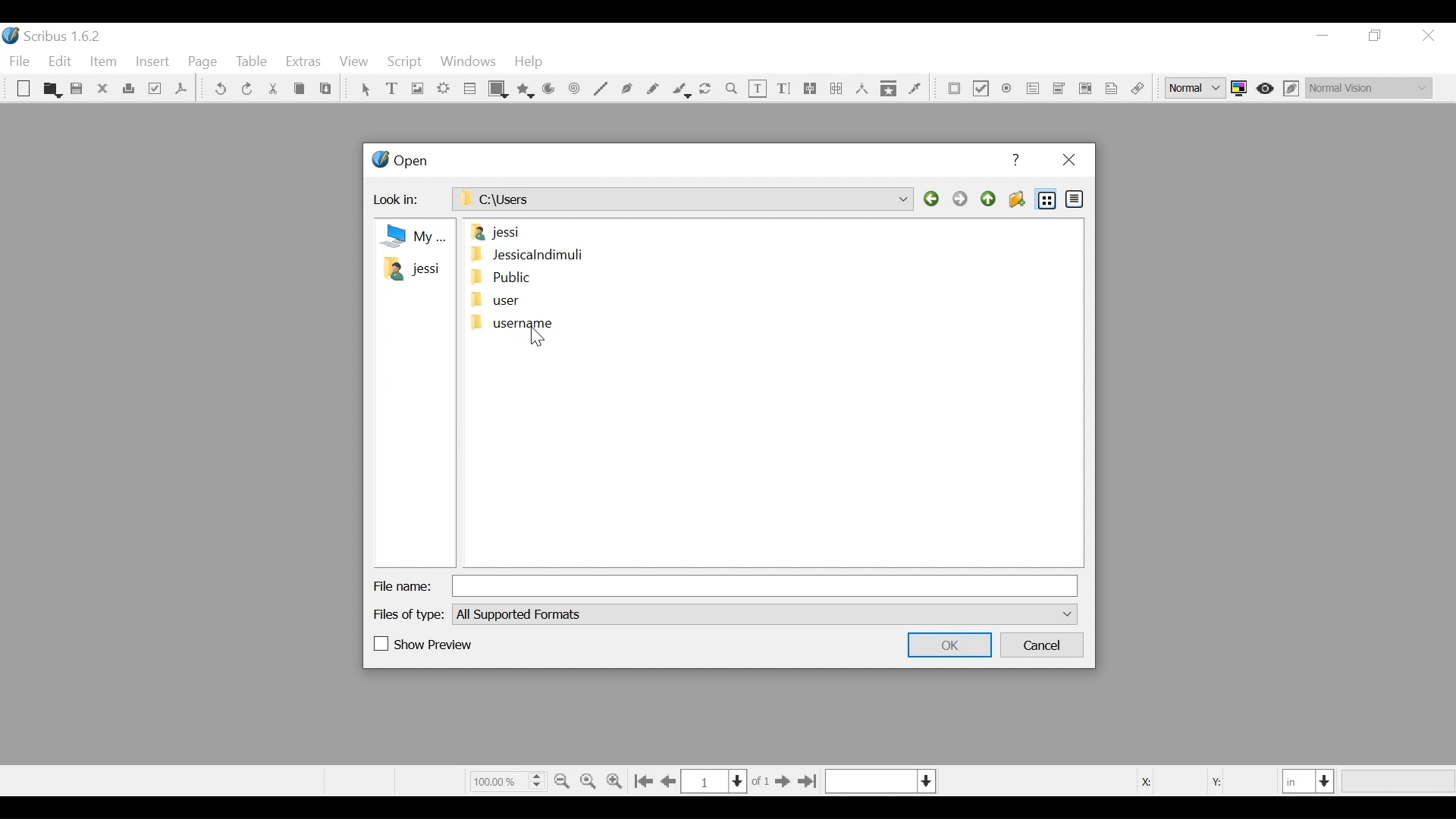 Image resolution: width=1456 pixels, height=819 pixels. What do you see at coordinates (1109, 89) in the screenshot?
I see `Text Annotation` at bounding box center [1109, 89].